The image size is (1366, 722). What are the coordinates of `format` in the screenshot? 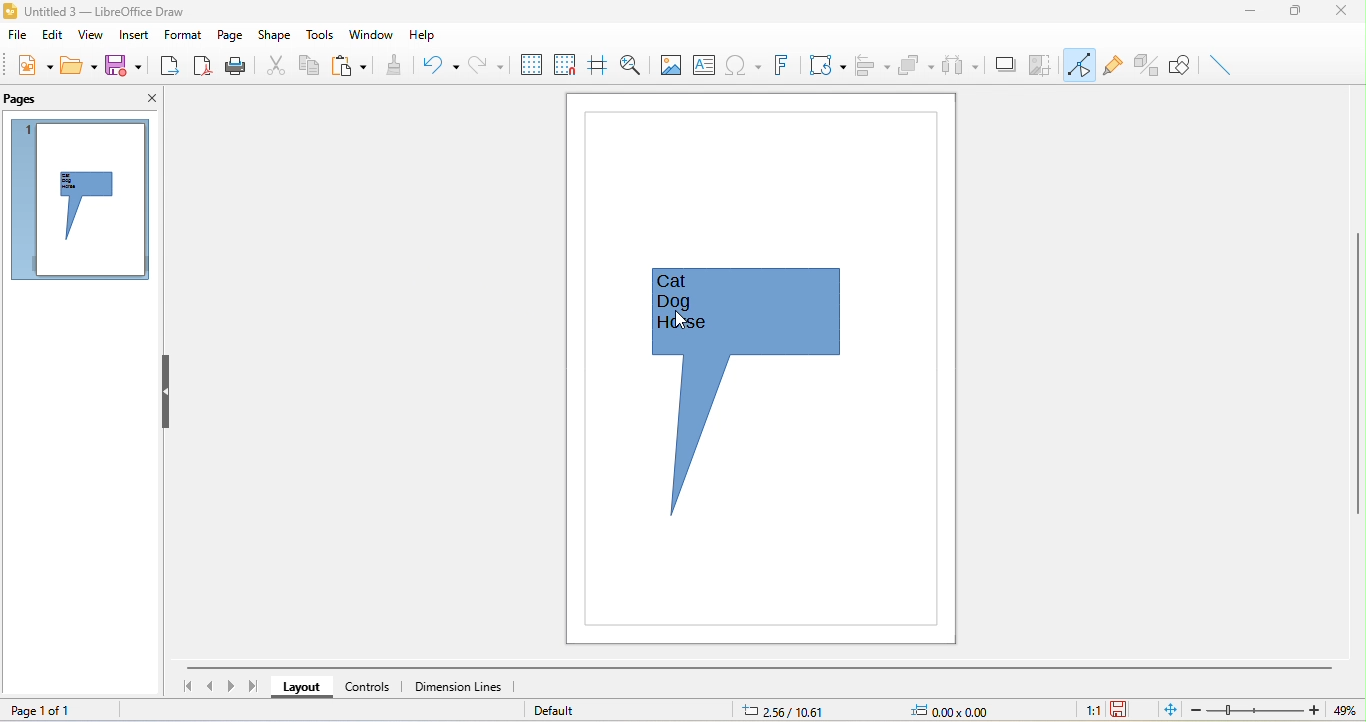 It's located at (182, 37).